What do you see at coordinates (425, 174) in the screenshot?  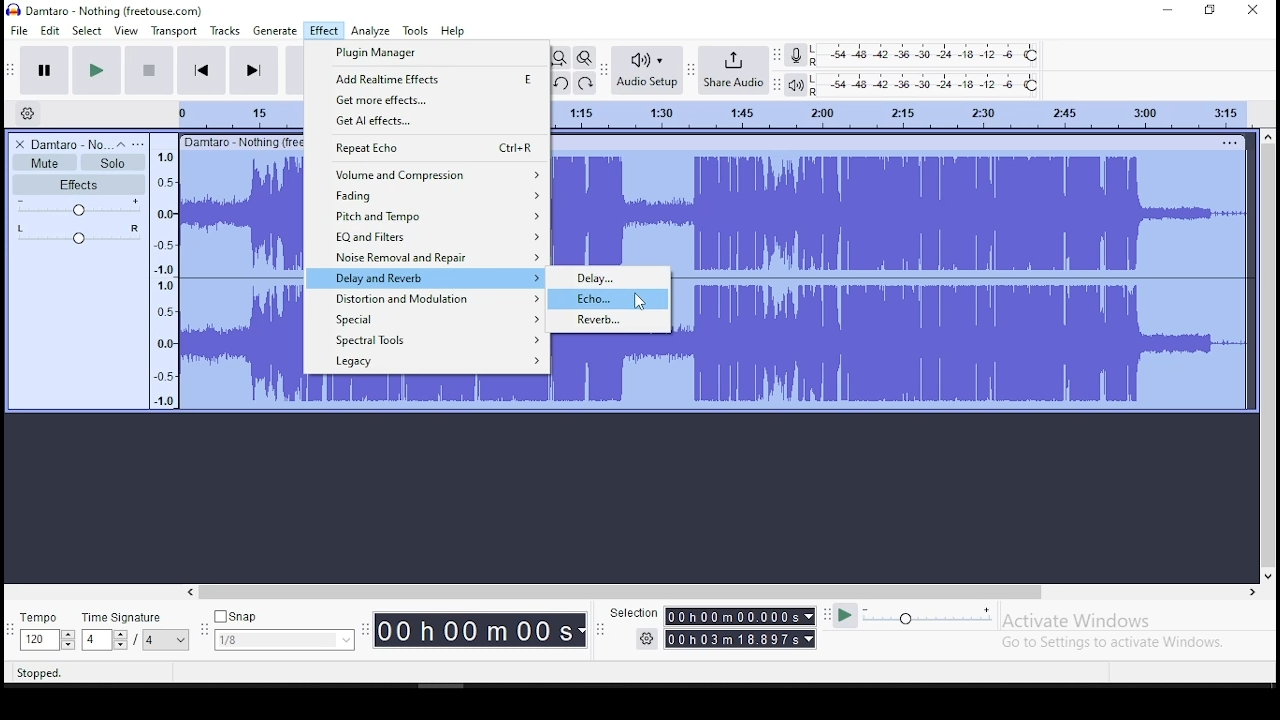 I see `volume and compresion` at bounding box center [425, 174].